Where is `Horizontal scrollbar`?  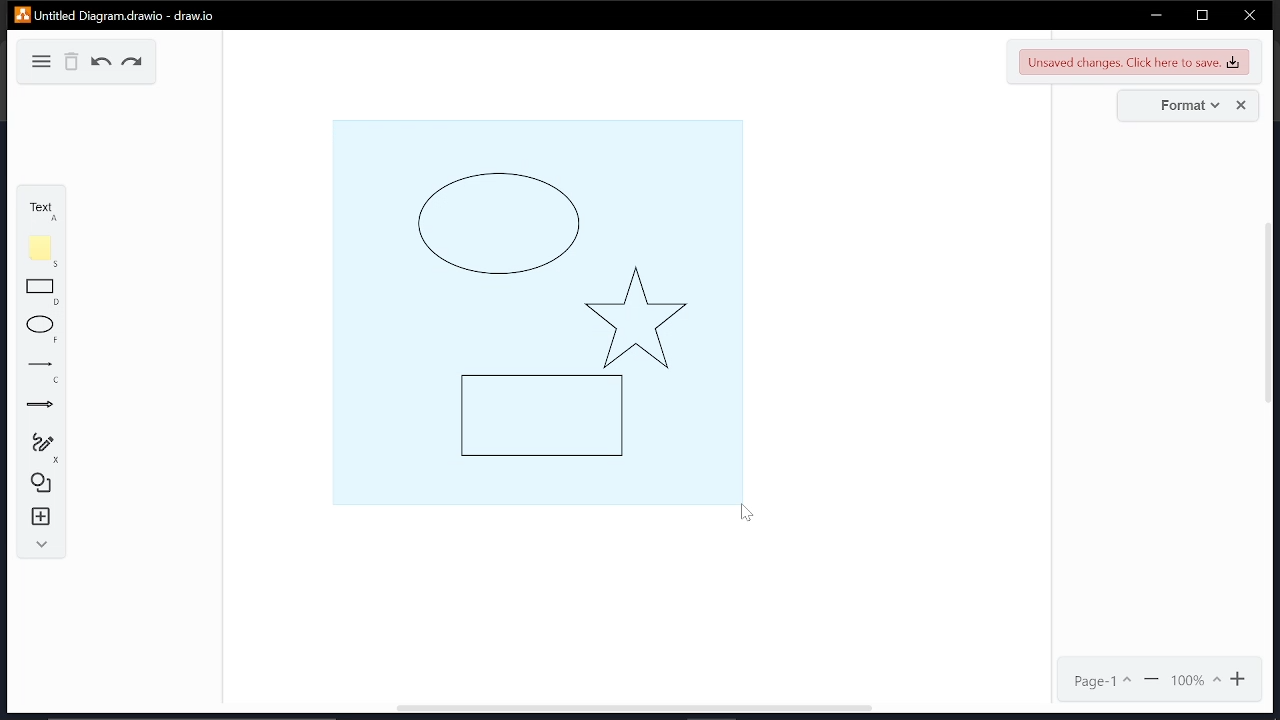 Horizontal scrollbar is located at coordinates (634, 710).